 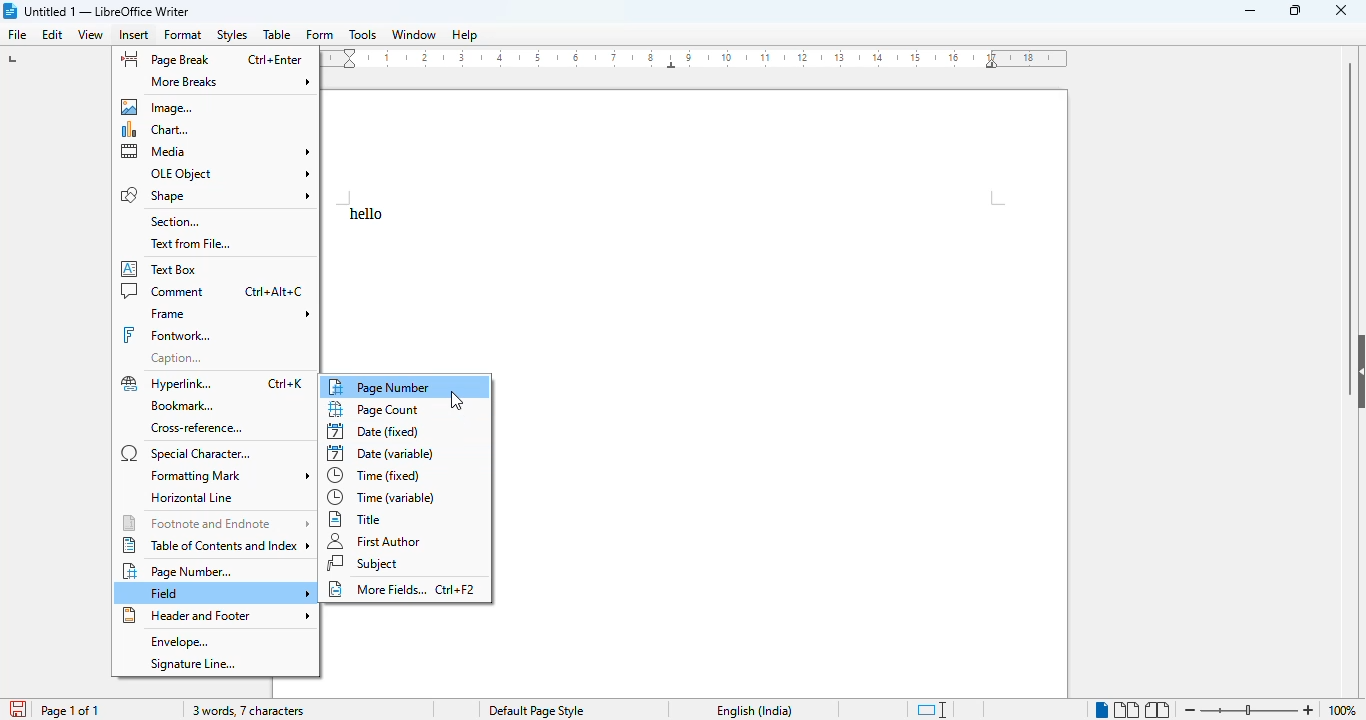 What do you see at coordinates (536, 710) in the screenshot?
I see `page style` at bounding box center [536, 710].